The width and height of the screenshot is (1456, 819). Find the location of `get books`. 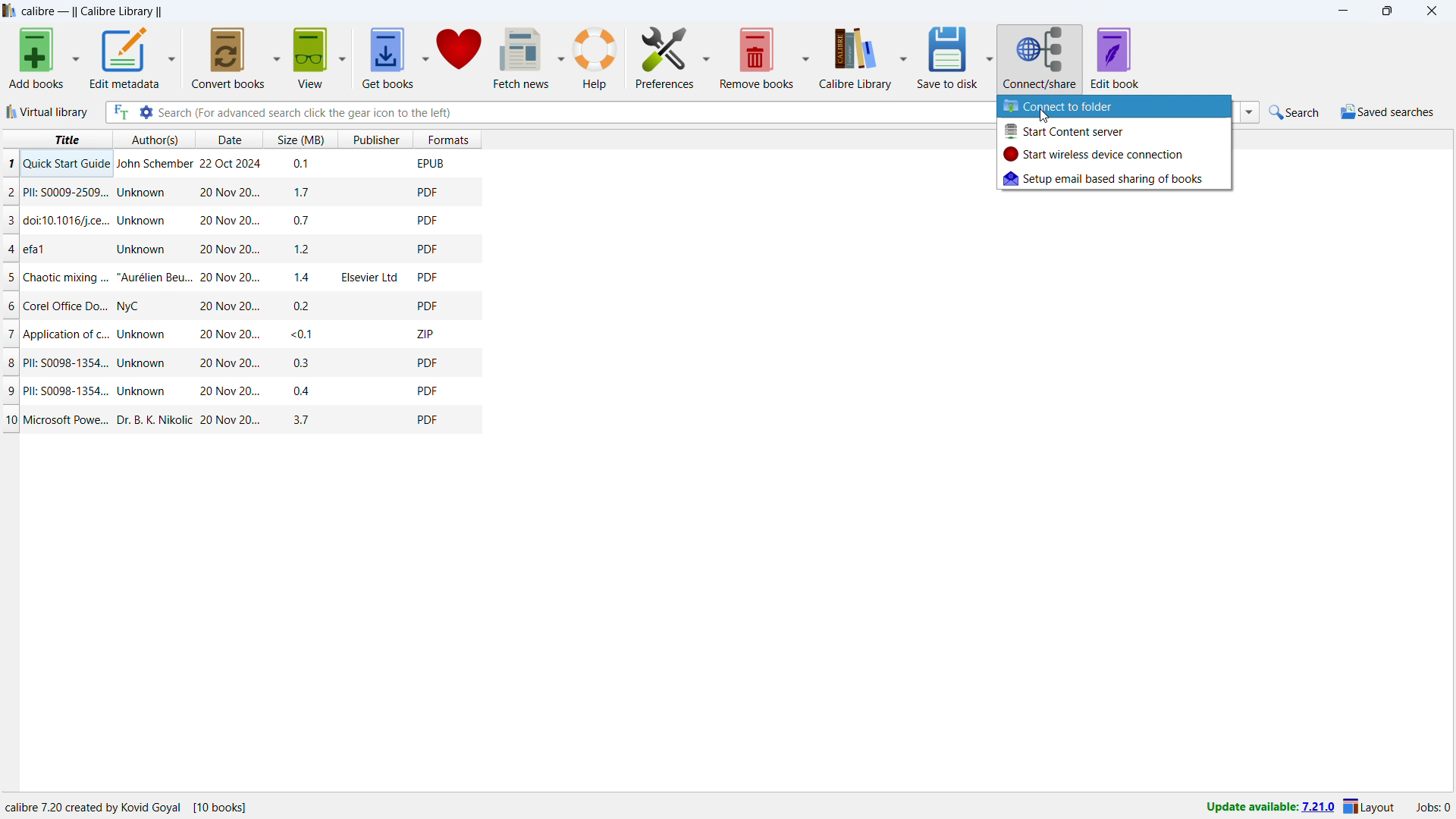

get books is located at coordinates (310, 58).